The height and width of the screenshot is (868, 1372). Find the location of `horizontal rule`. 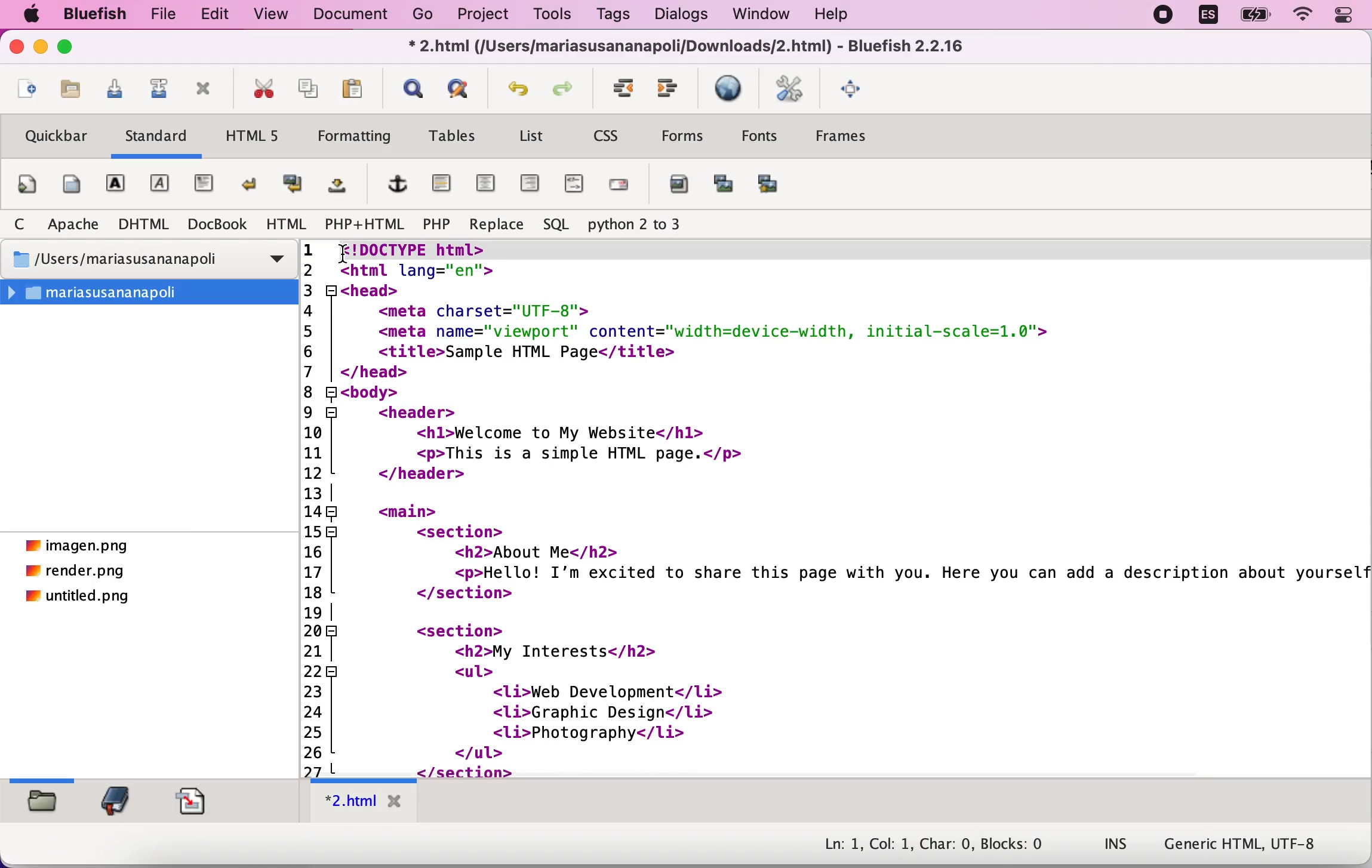

horizontal rule is located at coordinates (442, 184).